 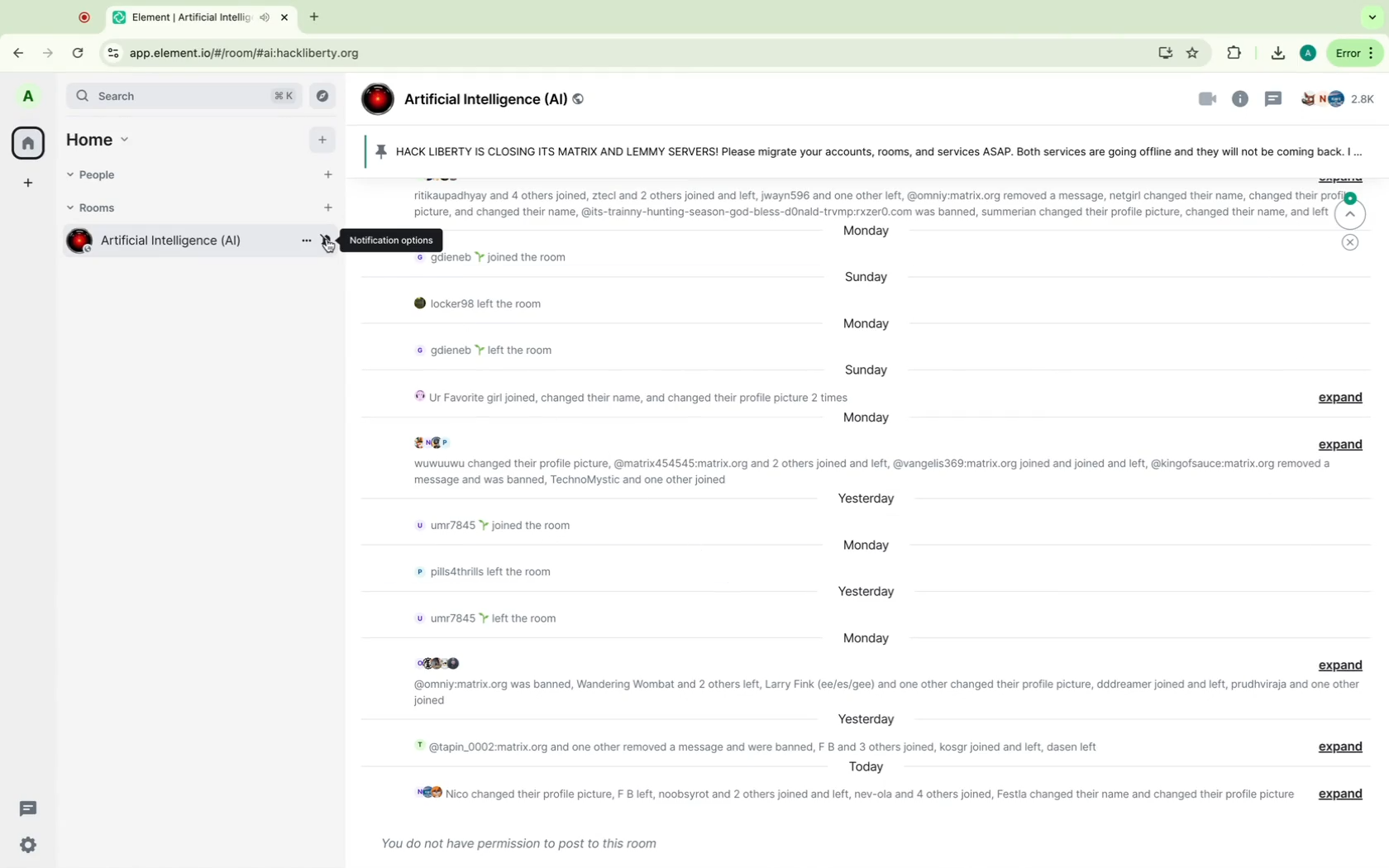 I want to click on people, so click(x=1342, y=98).